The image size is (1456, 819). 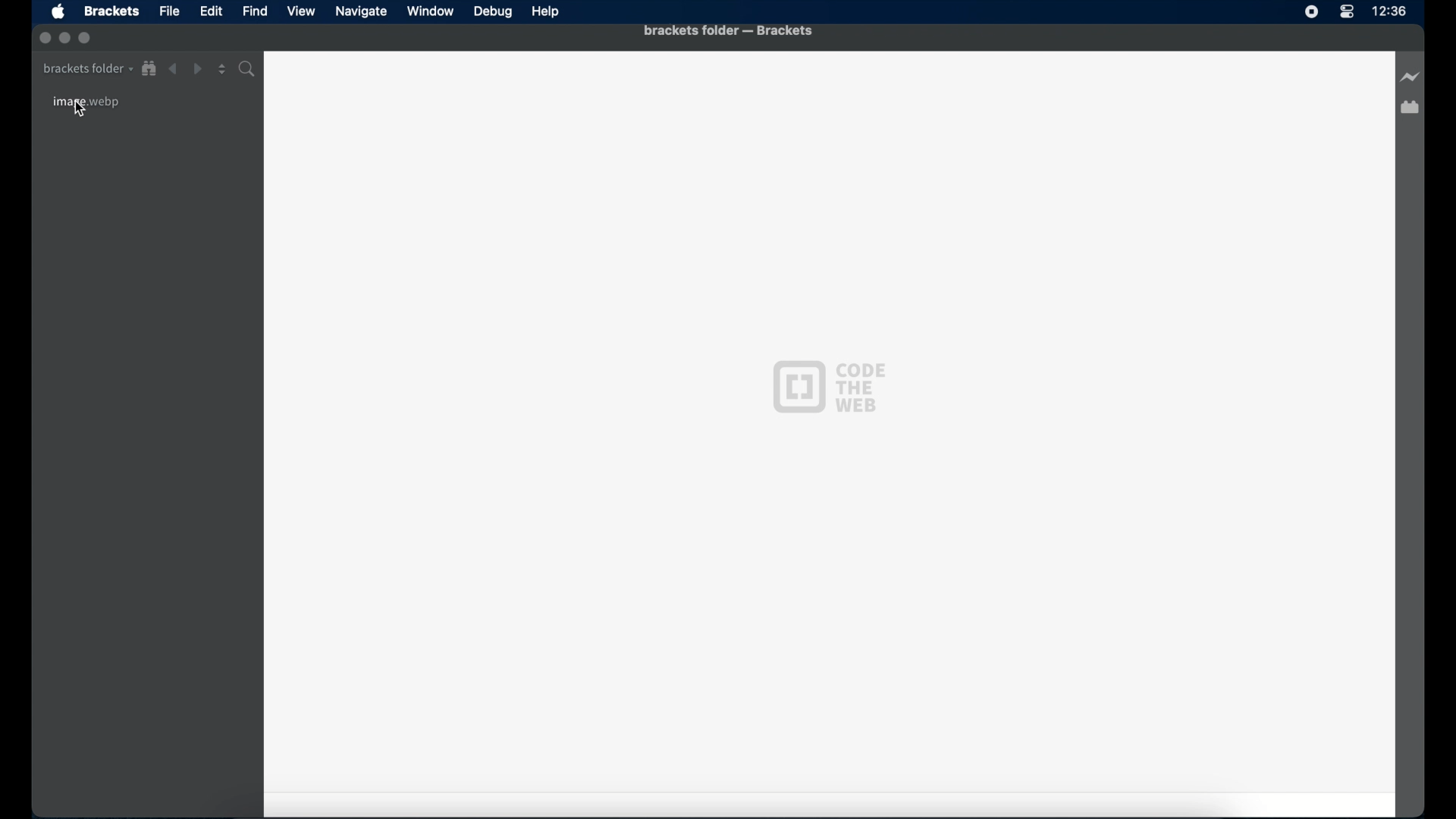 I want to click on Debug, so click(x=500, y=13).